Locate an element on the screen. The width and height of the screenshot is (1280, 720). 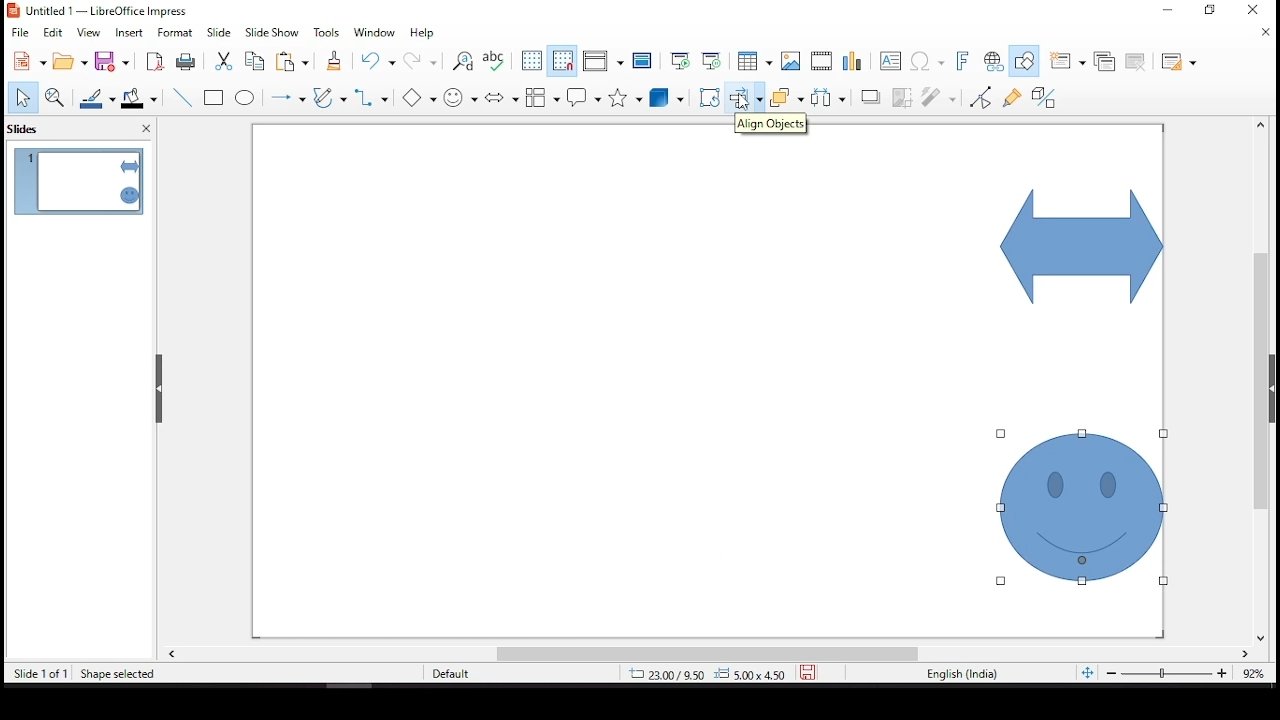
close is located at coordinates (1265, 35).